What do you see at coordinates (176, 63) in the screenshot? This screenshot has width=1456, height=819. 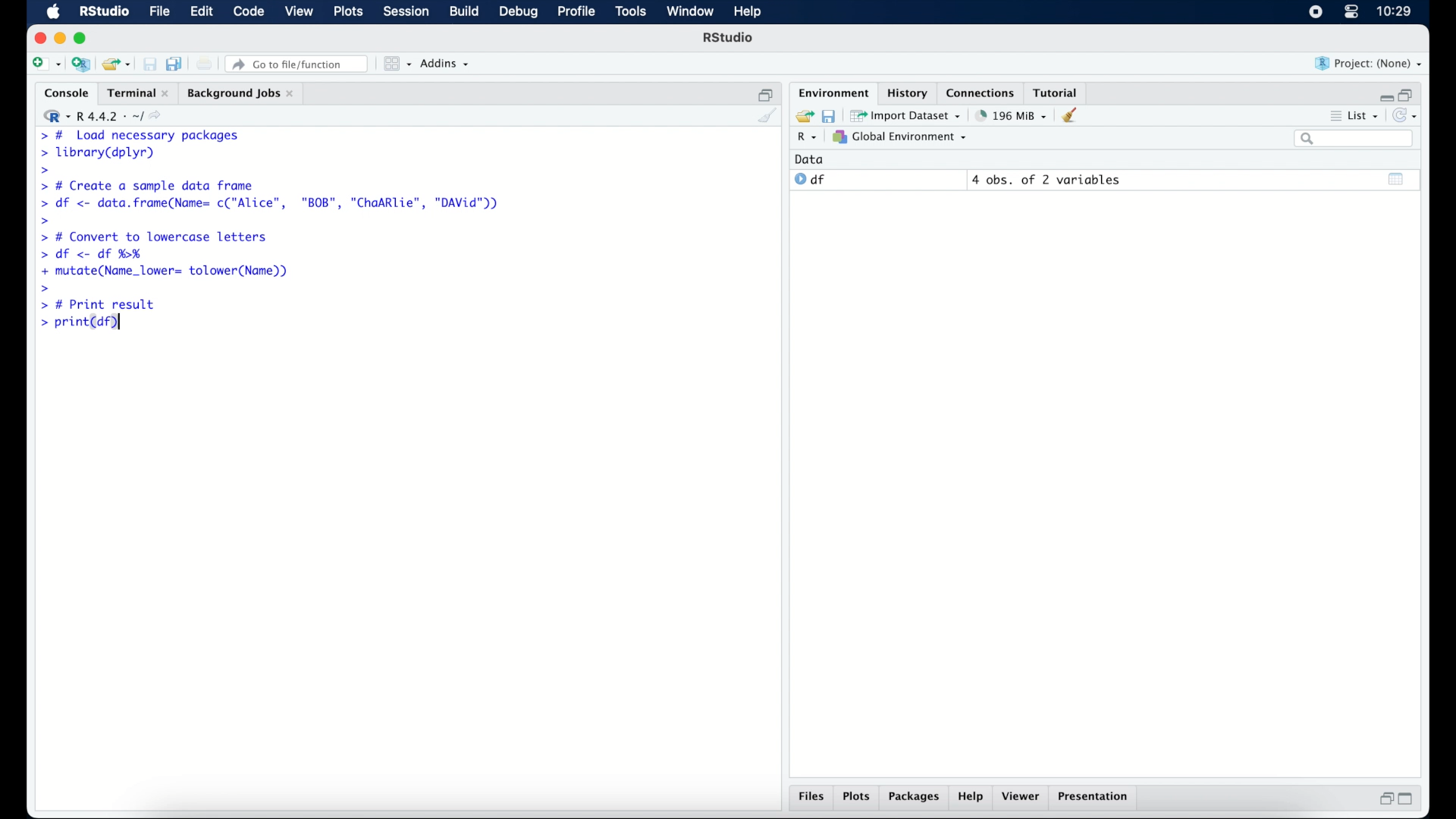 I see `save all documents ` at bounding box center [176, 63].